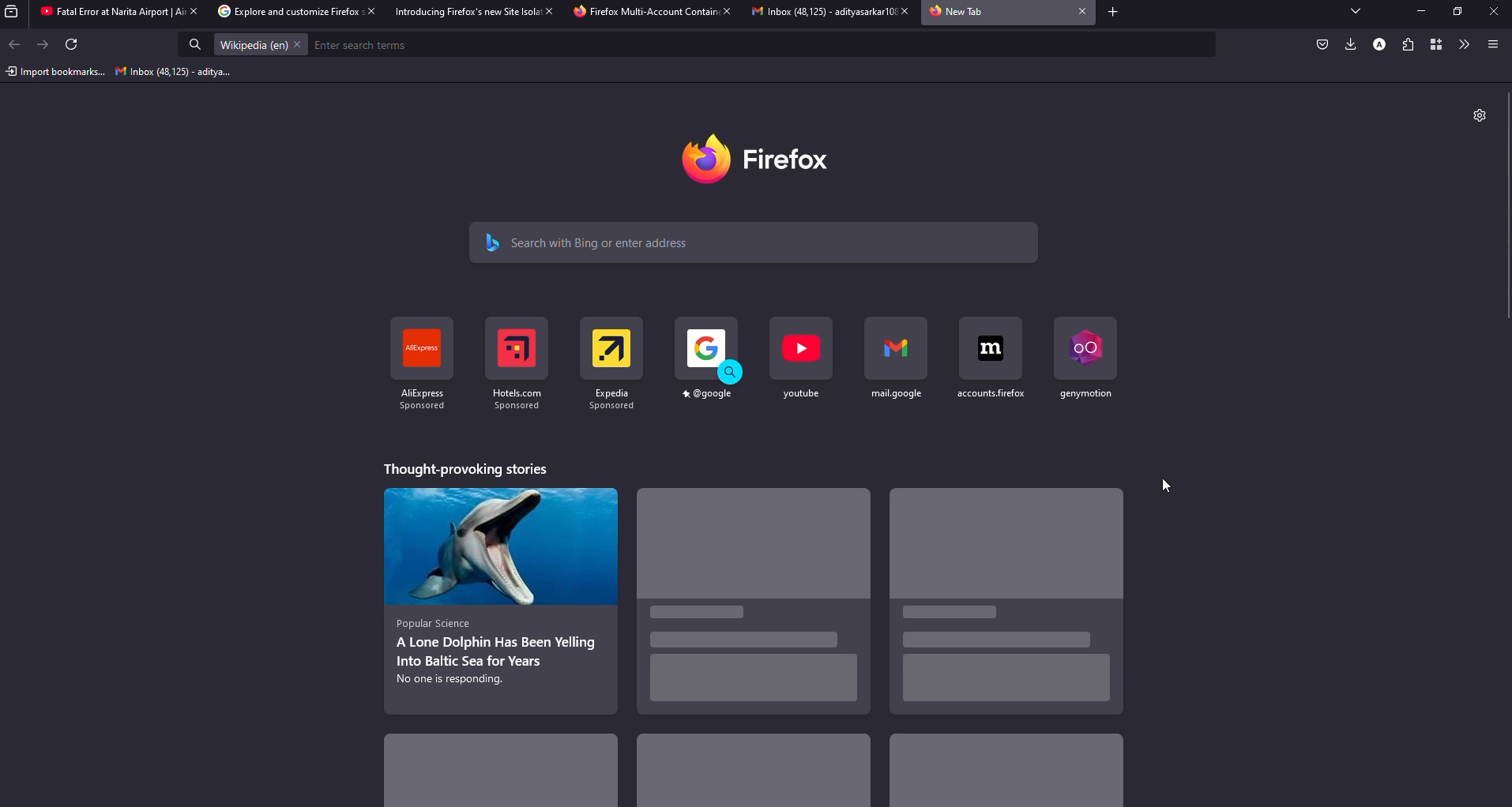 The width and height of the screenshot is (1512, 807). I want to click on minimize, so click(1416, 11).